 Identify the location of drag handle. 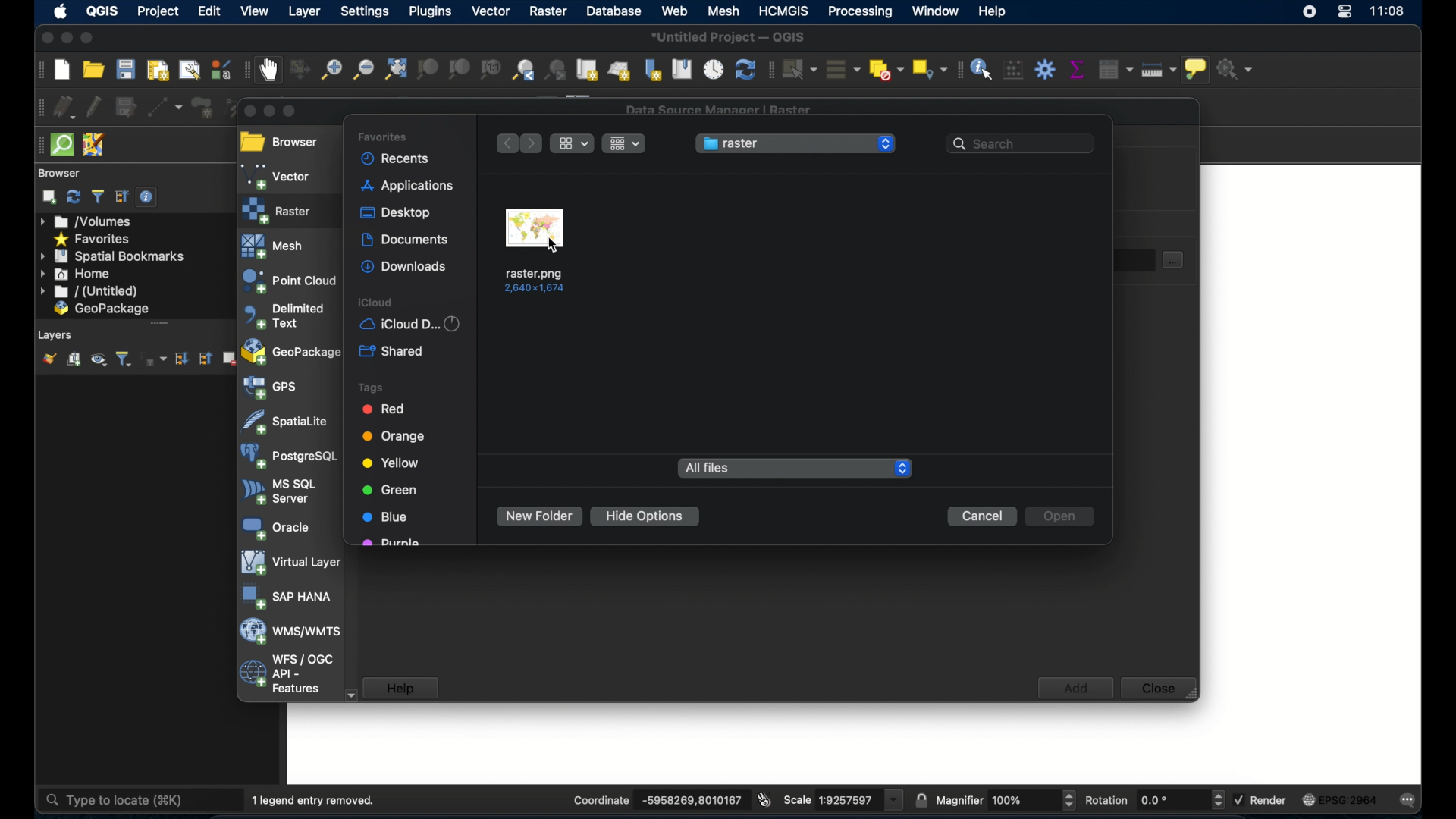
(35, 145).